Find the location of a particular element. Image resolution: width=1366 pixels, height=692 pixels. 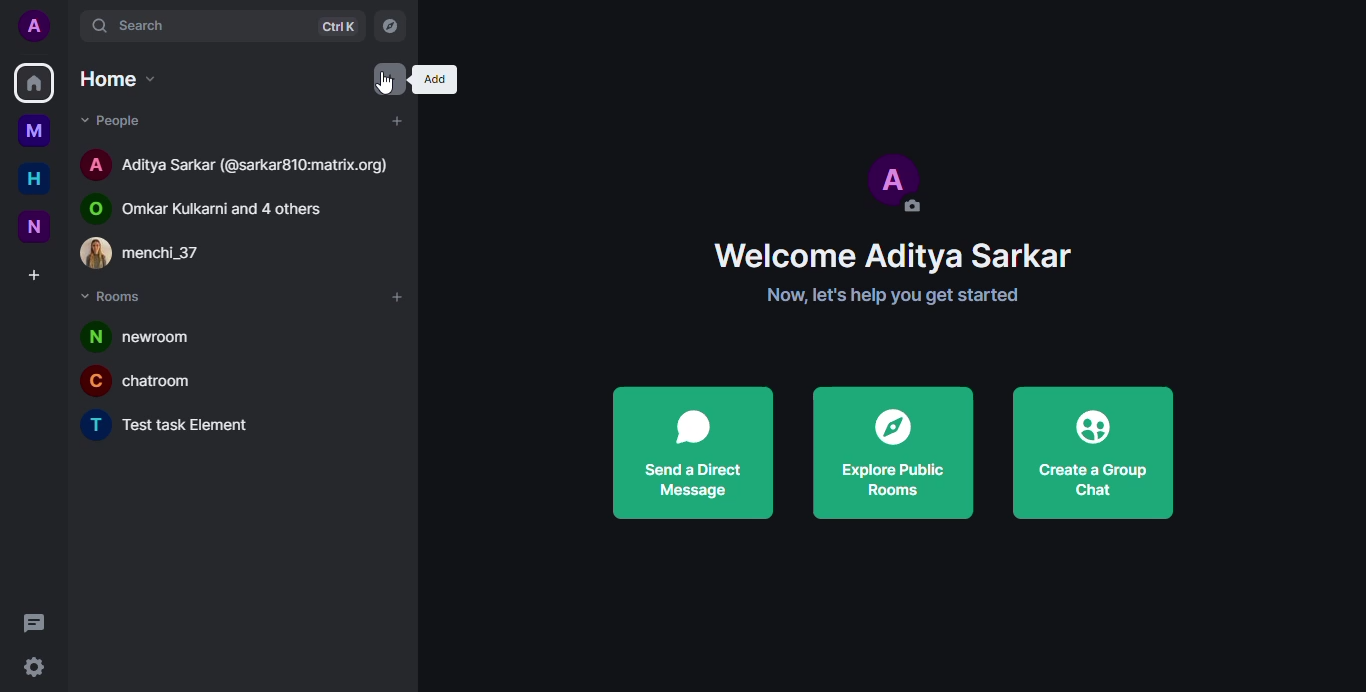

home is located at coordinates (37, 178).